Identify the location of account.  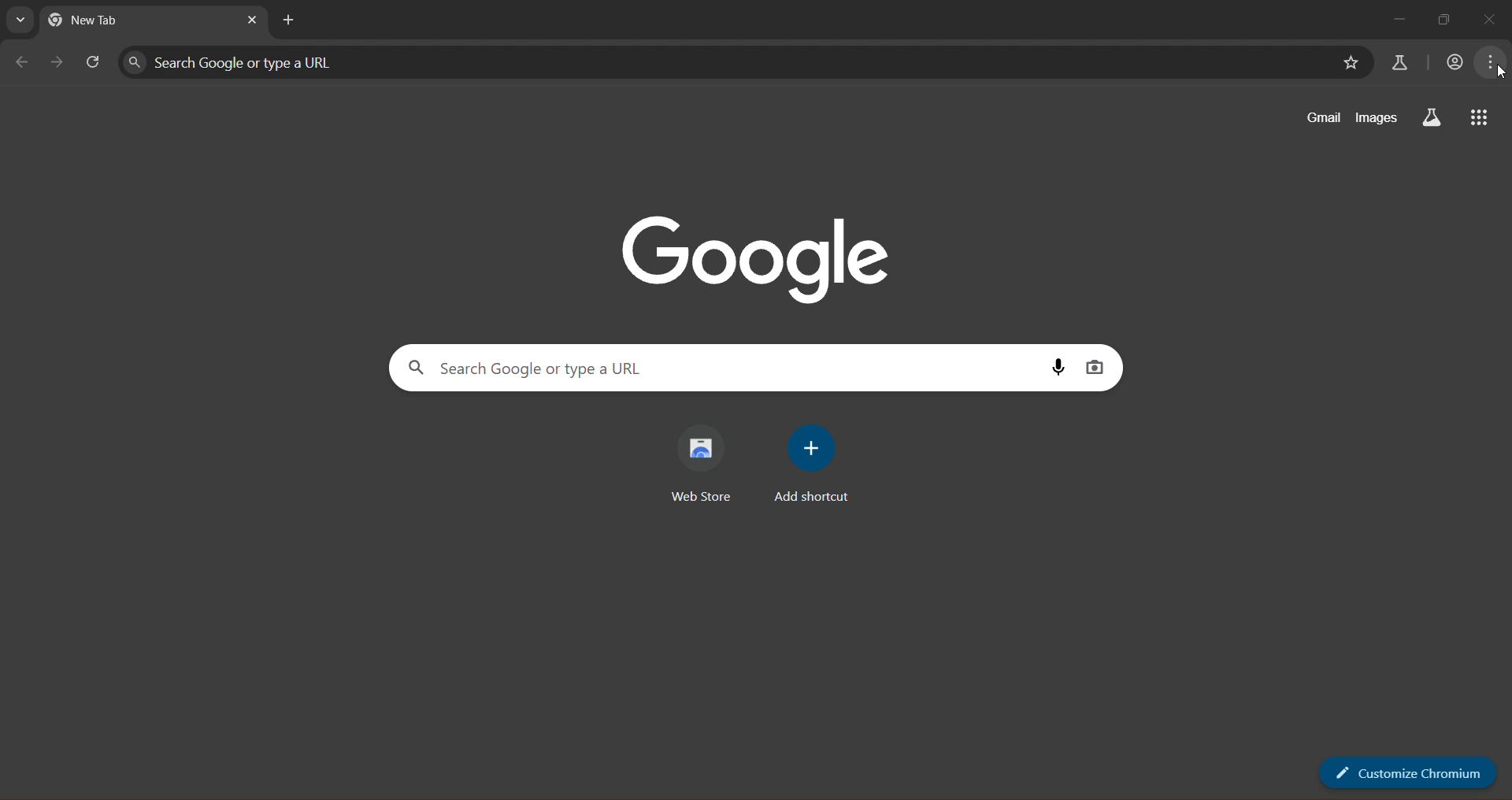
(1455, 60).